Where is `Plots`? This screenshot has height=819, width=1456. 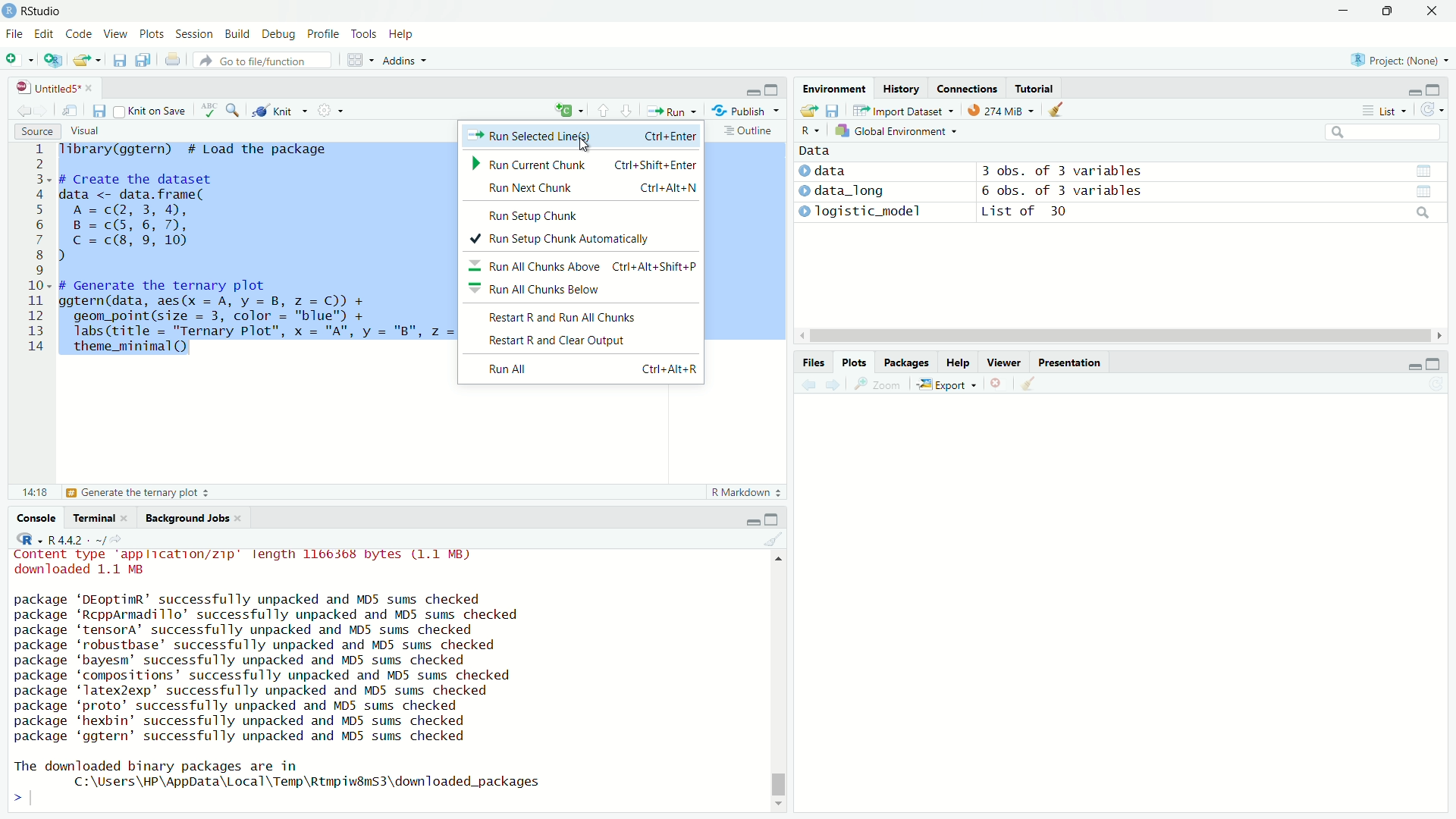
Plots is located at coordinates (149, 35).